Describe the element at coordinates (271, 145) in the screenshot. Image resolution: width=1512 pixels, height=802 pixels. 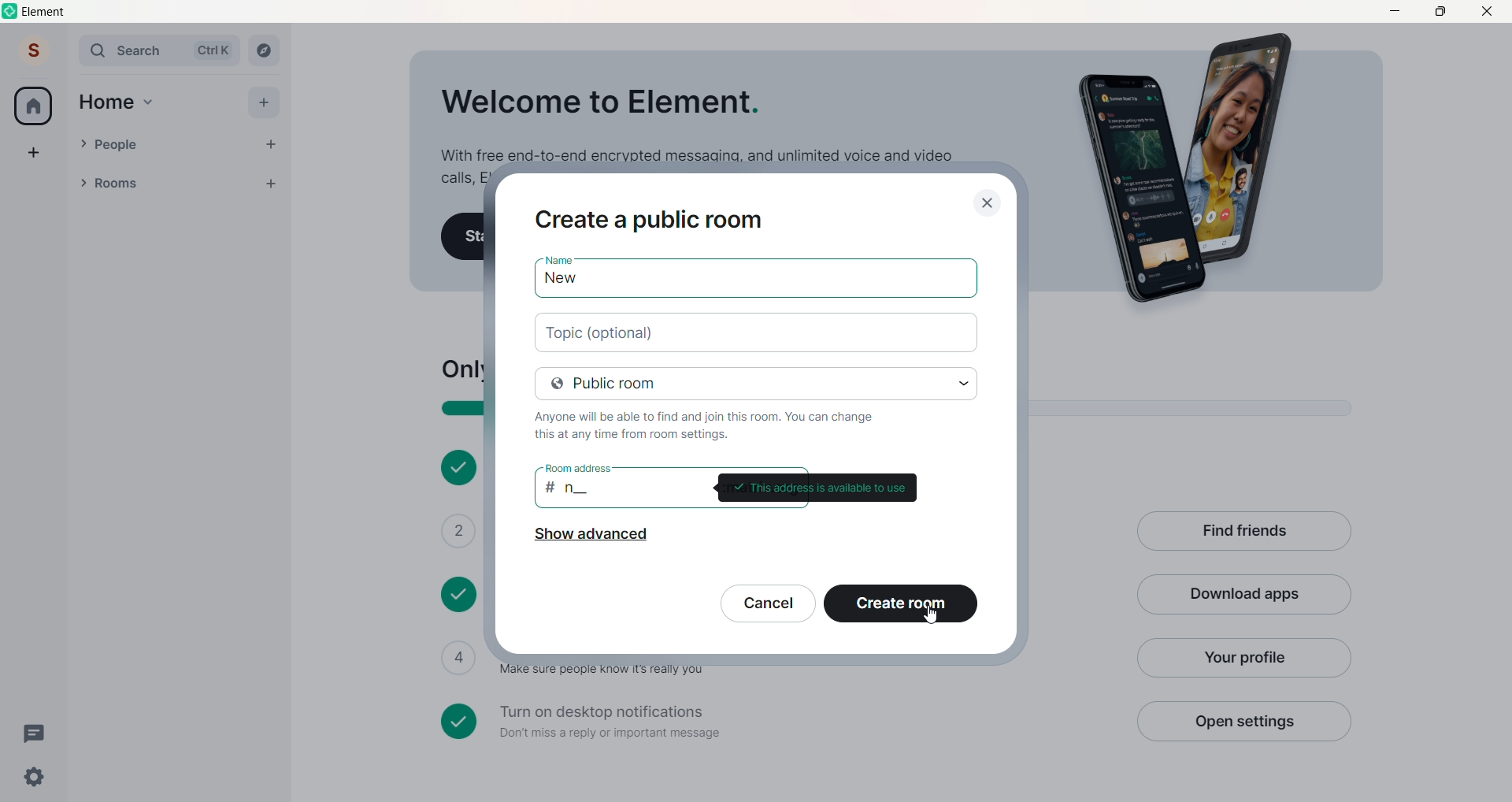
I see `Add People` at that location.